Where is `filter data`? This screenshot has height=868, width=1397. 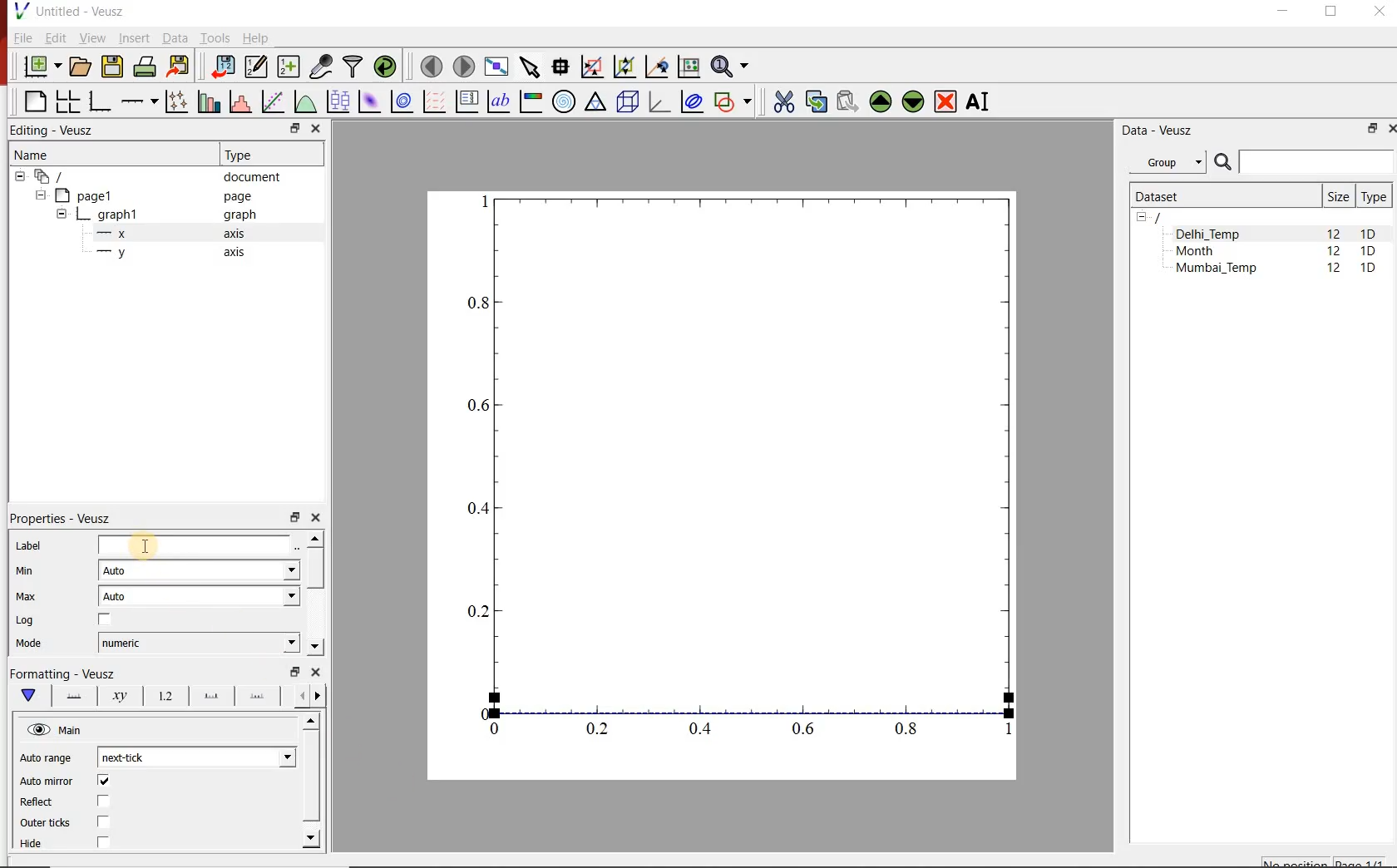 filter data is located at coordinates (353, 67).